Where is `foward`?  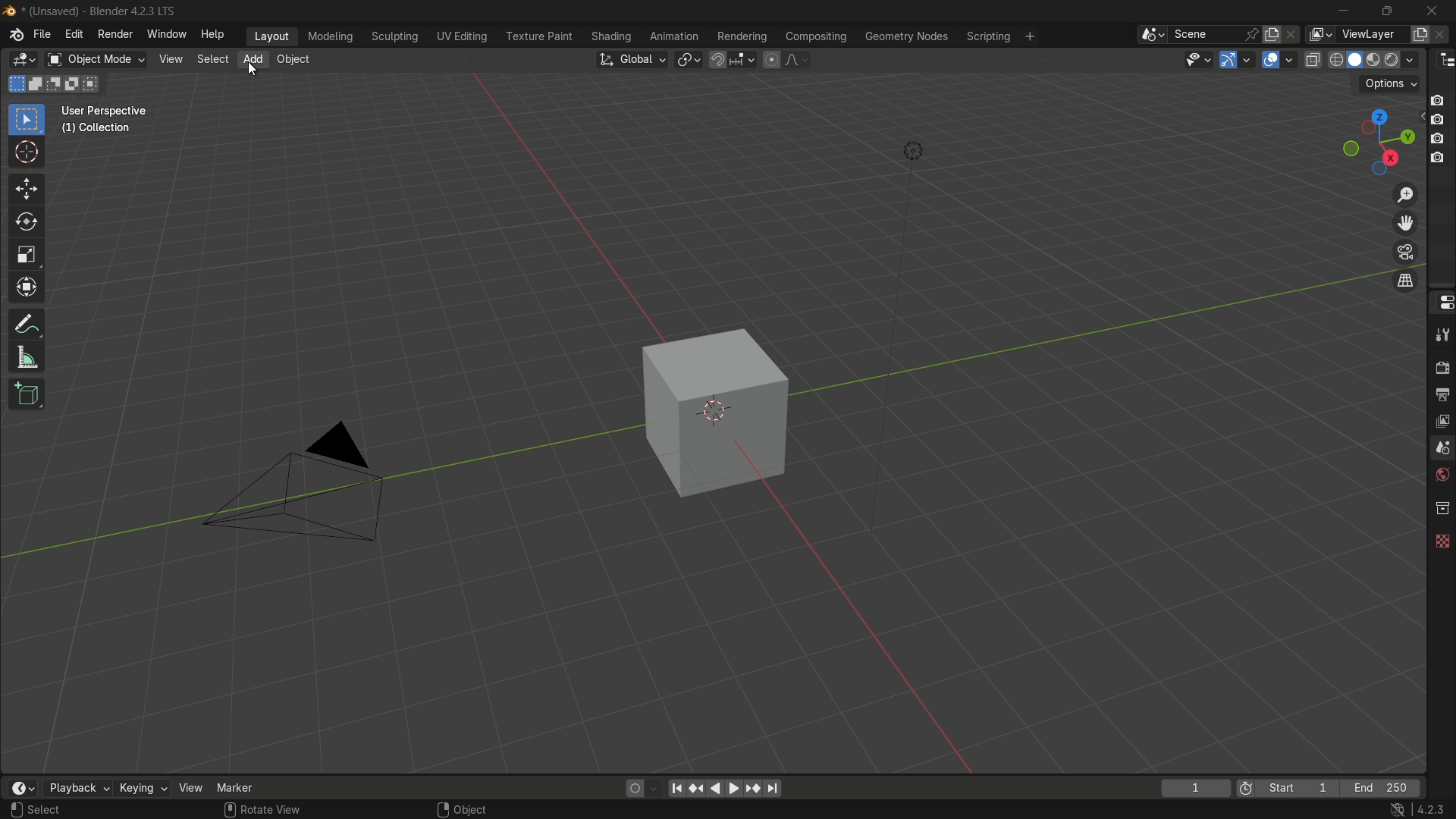
foward is located at coordinates (734, 788).